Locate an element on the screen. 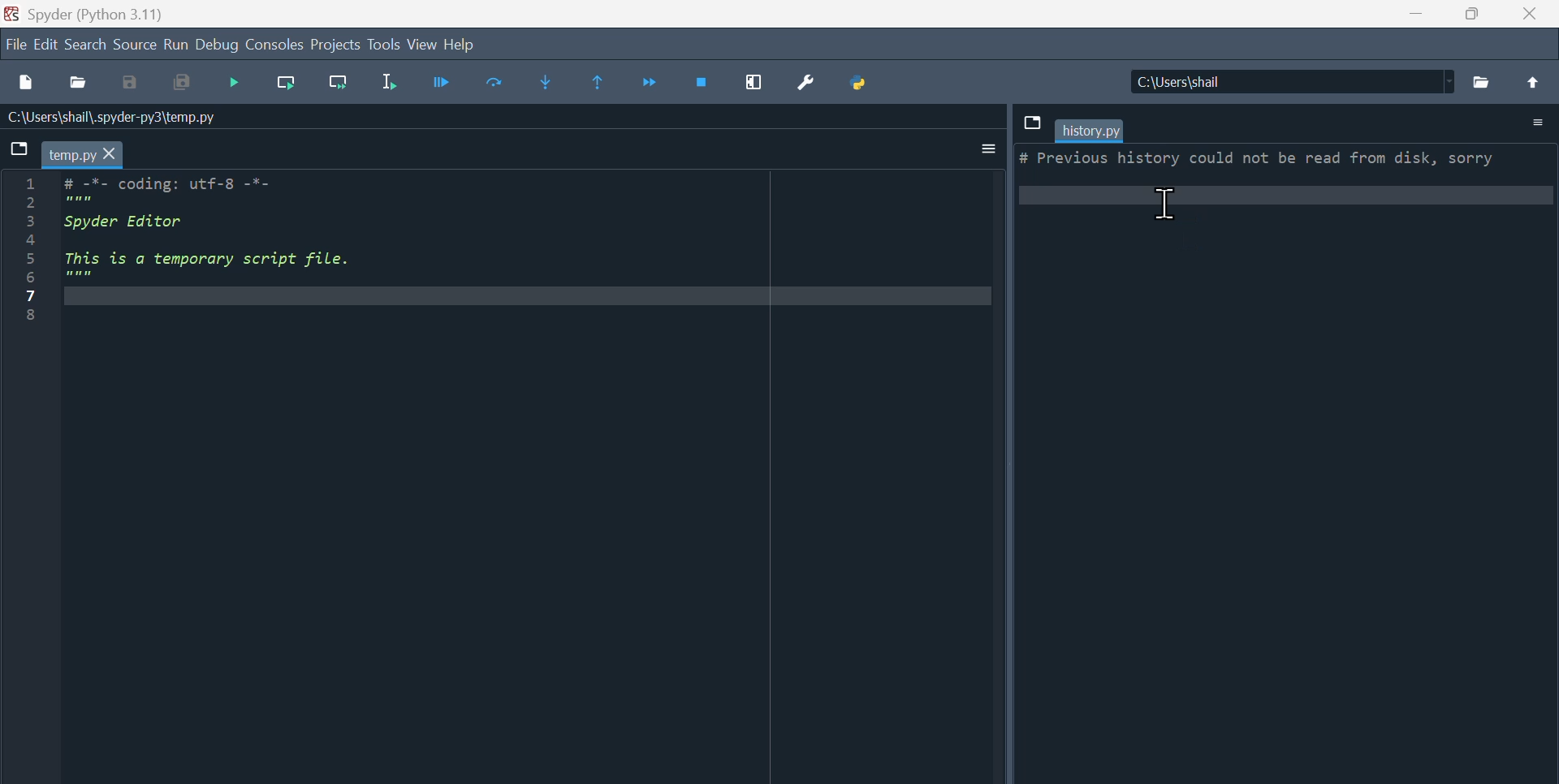  temp.py is located at coordinates (83, 155).